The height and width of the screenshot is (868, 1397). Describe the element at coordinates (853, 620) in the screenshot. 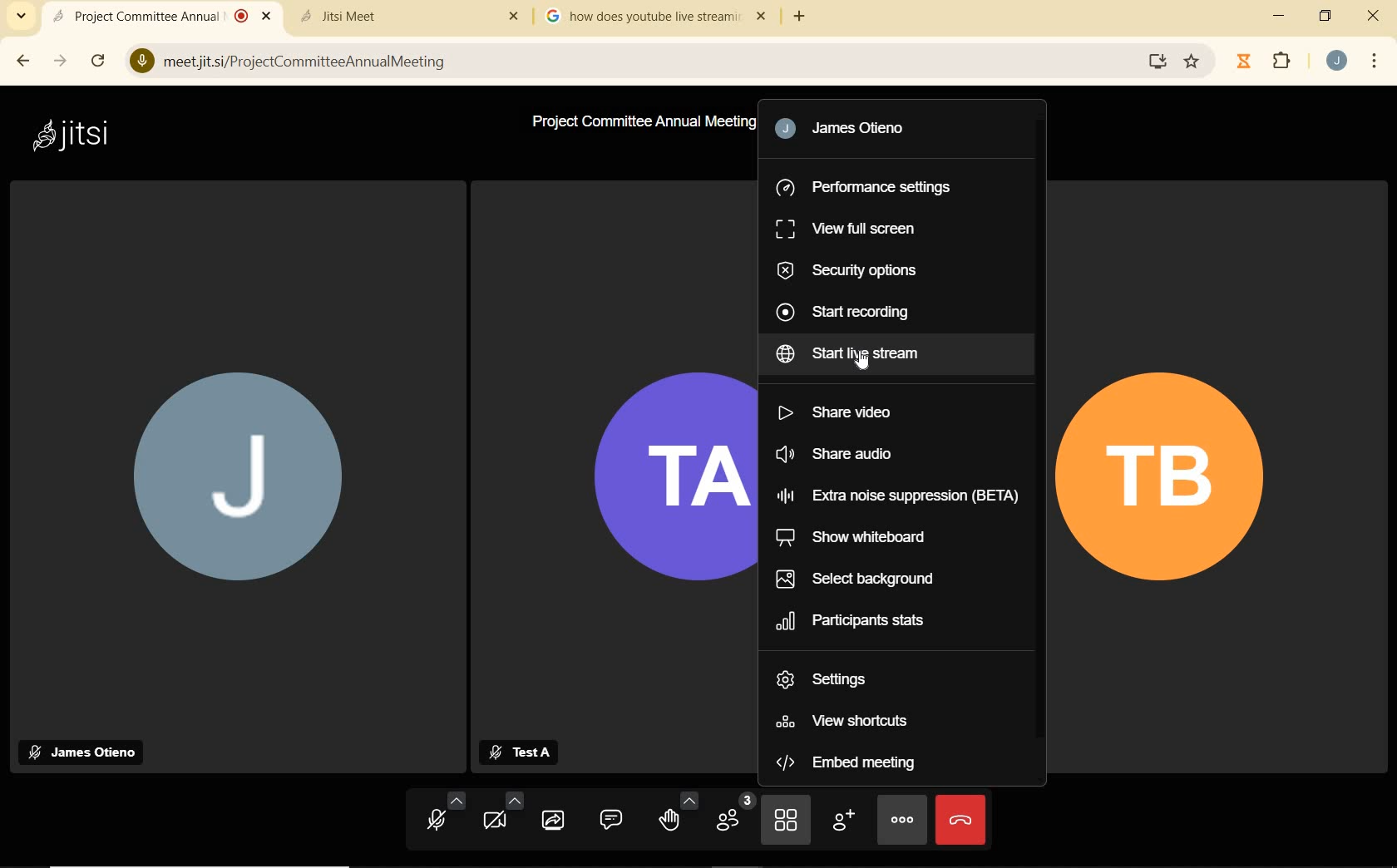

I see `PARTICIPANTS STATS` at that location.